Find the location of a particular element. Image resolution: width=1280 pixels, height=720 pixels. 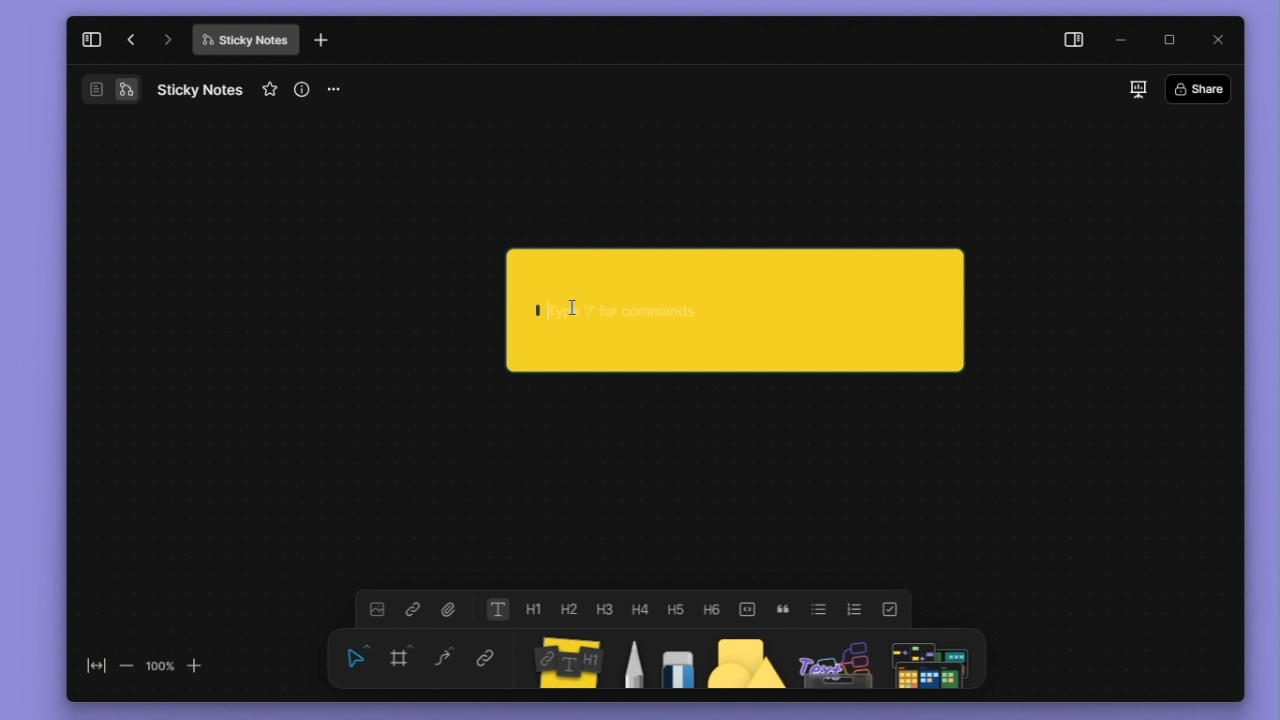

Sticky note is located at coordinates (725, 313).